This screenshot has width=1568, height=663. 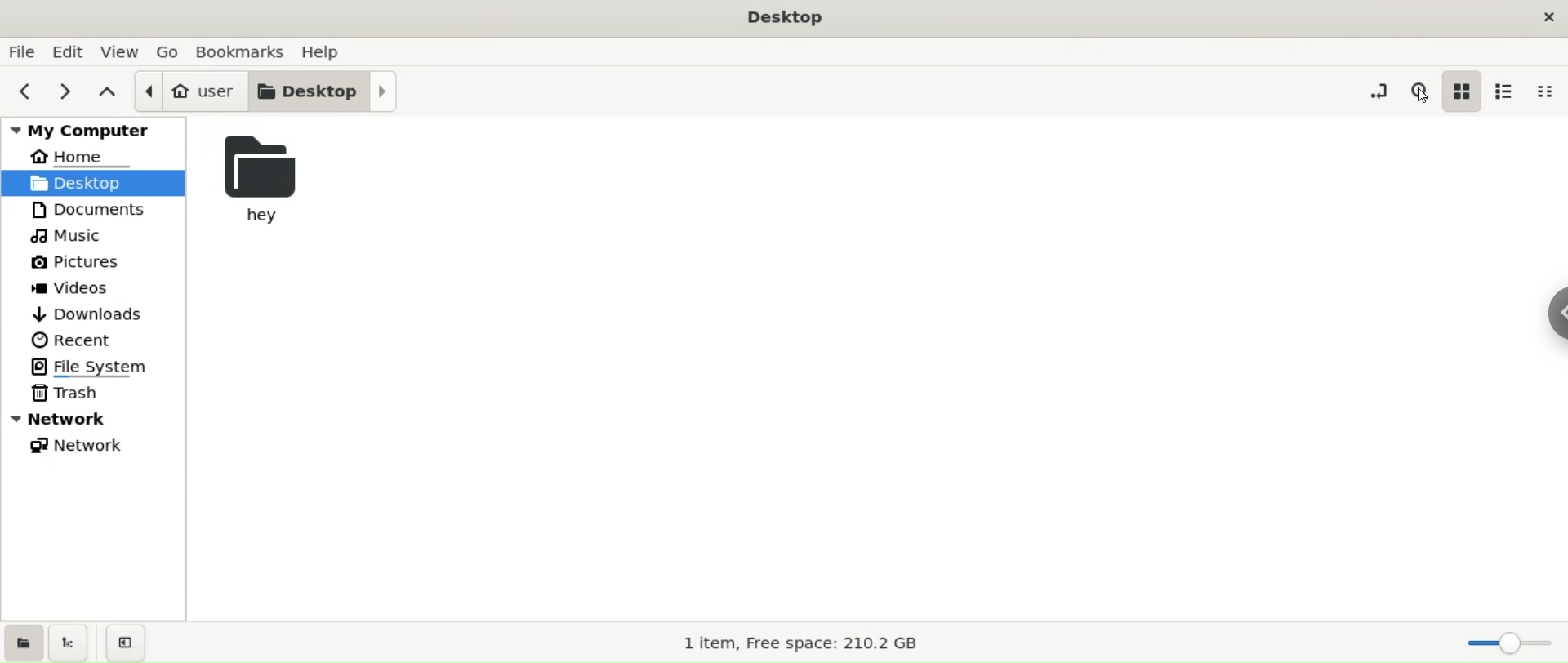 What do you see at coordinates (118, 51) in the screenshot?
I see `view` at bounding box center [118, 51].